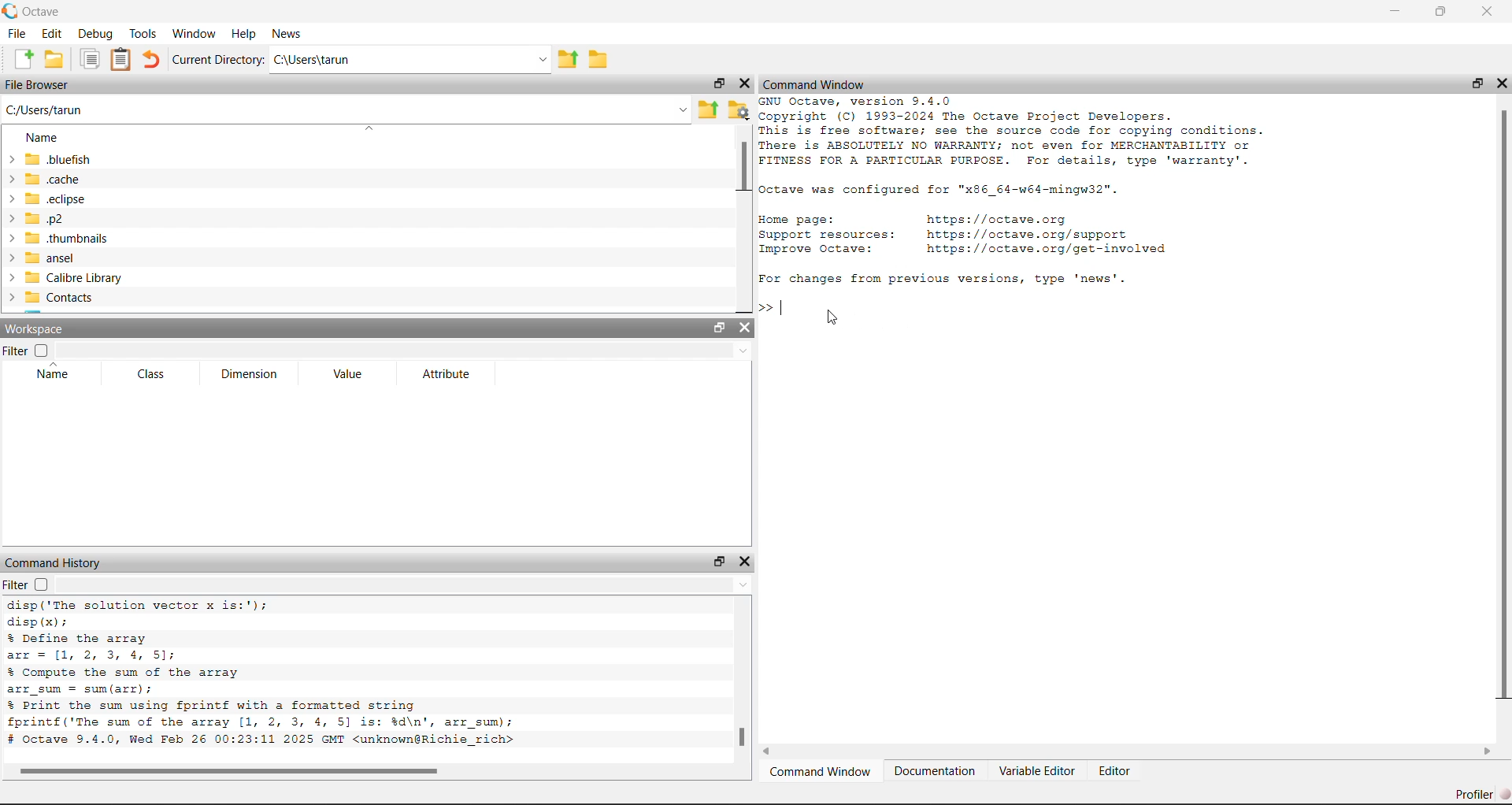 Image resolution: width=1512 pixels, height=805 pixels. What do you see at coordinates (774, 752) in the screenshot?
I see `Scrollbar left` at bounding box center [774, 752].